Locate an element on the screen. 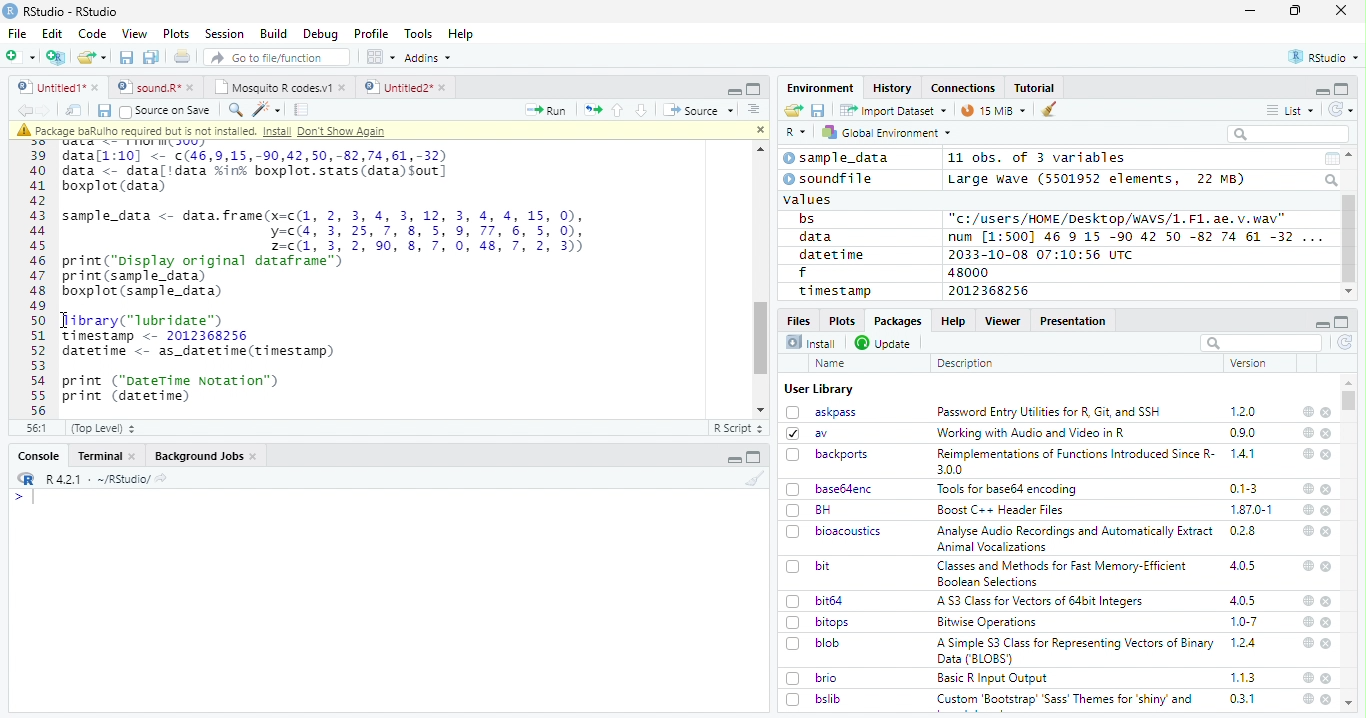 The width and height of the screenshot is (1366, 718). values is located at coordinates (809, 198).